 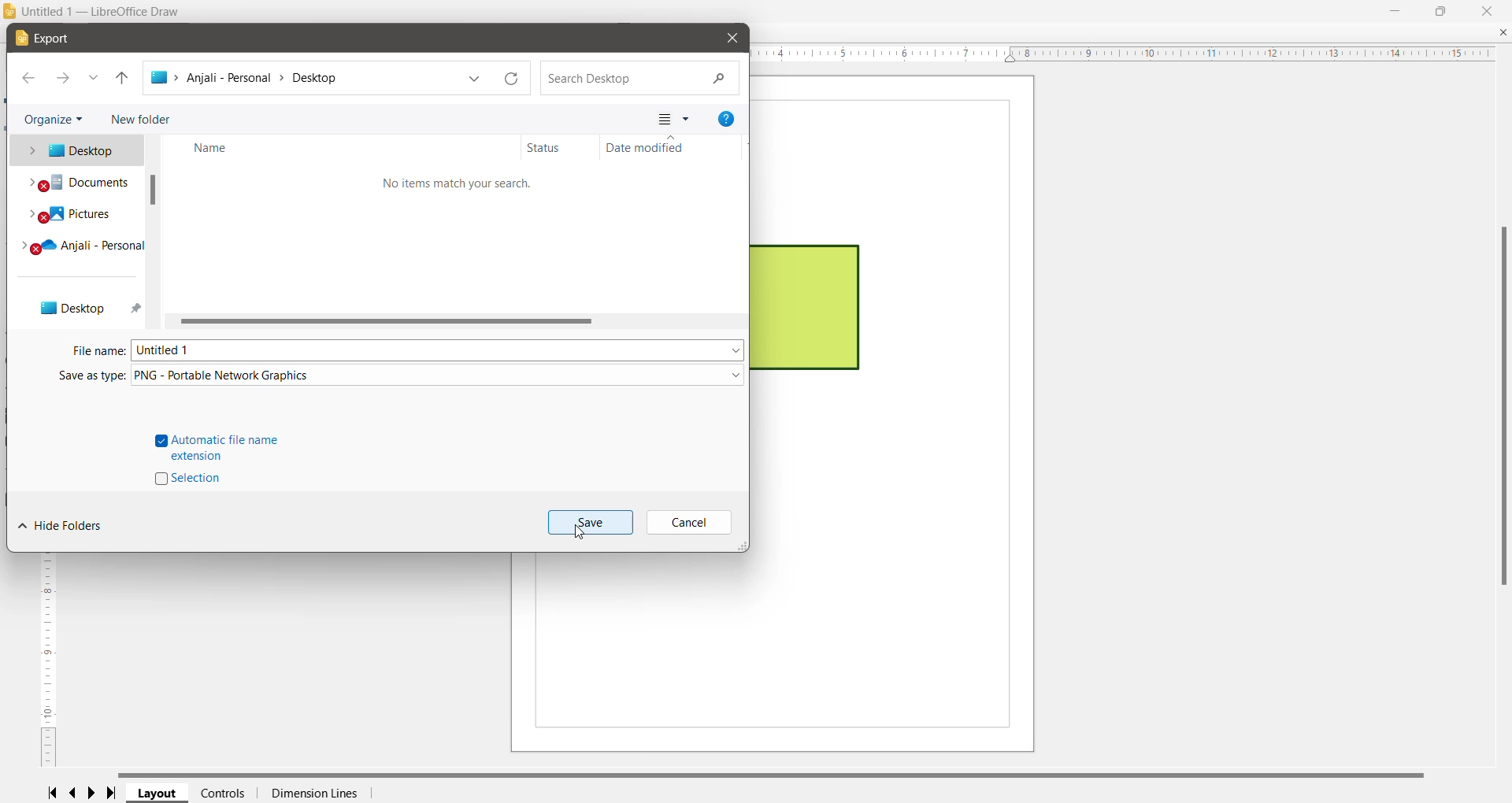 I want to click on Close Document, so click(x=1503, y=33).